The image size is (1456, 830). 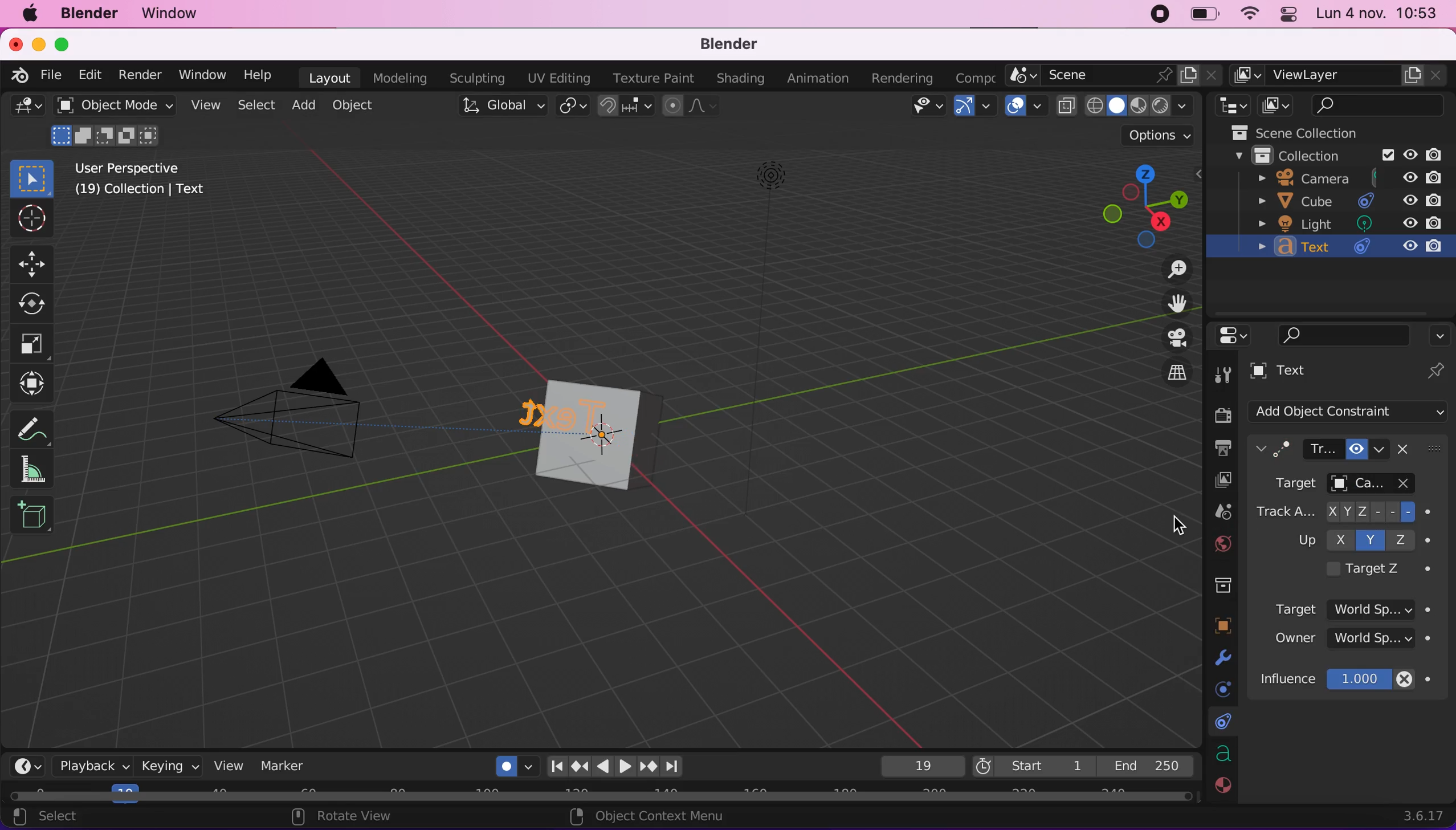 What do you see at coordinates (1226, 371) in the screenshot?
I see `tools` at bounding box center [1226, 371].